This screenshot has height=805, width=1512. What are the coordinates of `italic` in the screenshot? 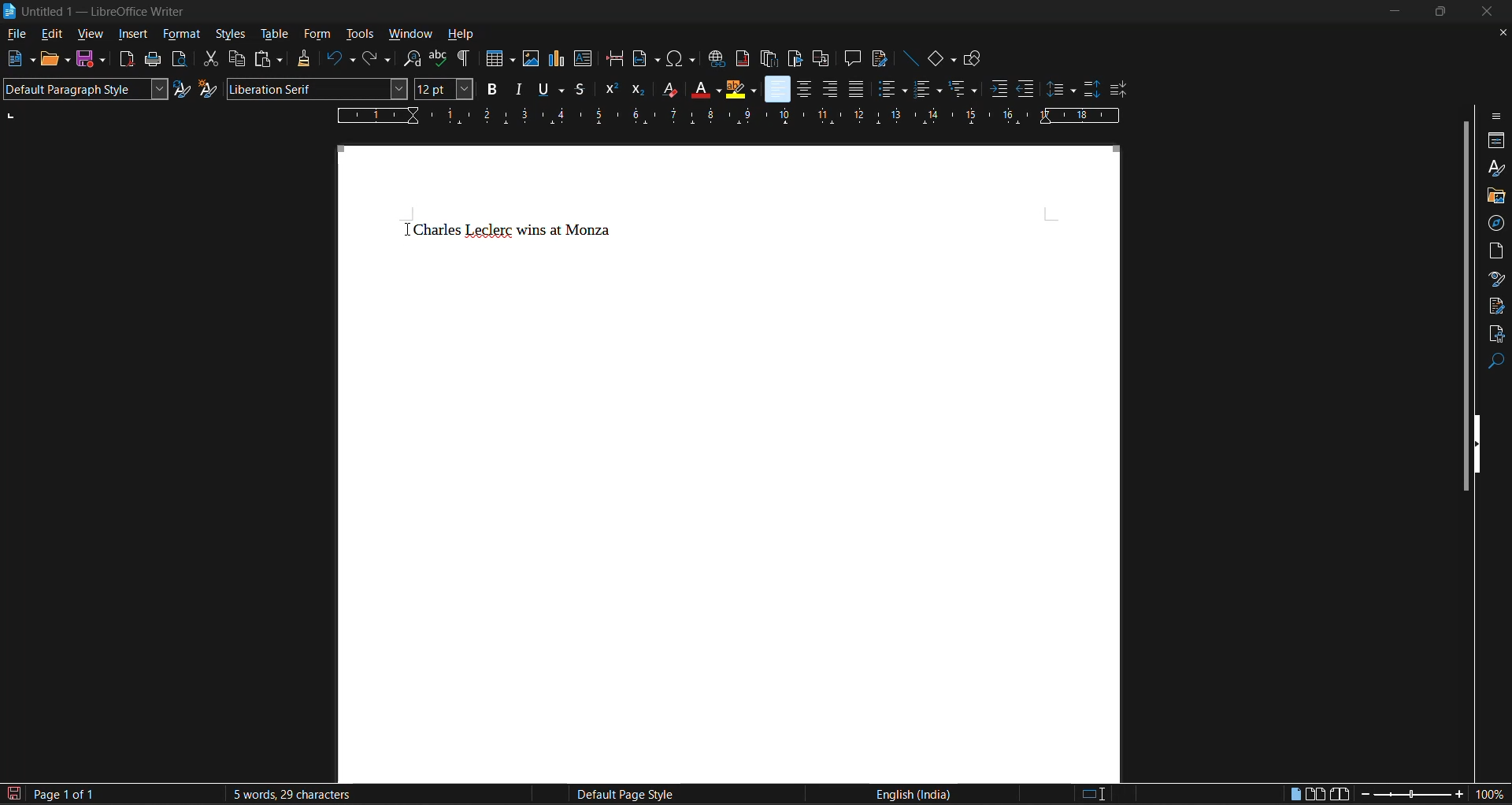 It's located at (517, 88).